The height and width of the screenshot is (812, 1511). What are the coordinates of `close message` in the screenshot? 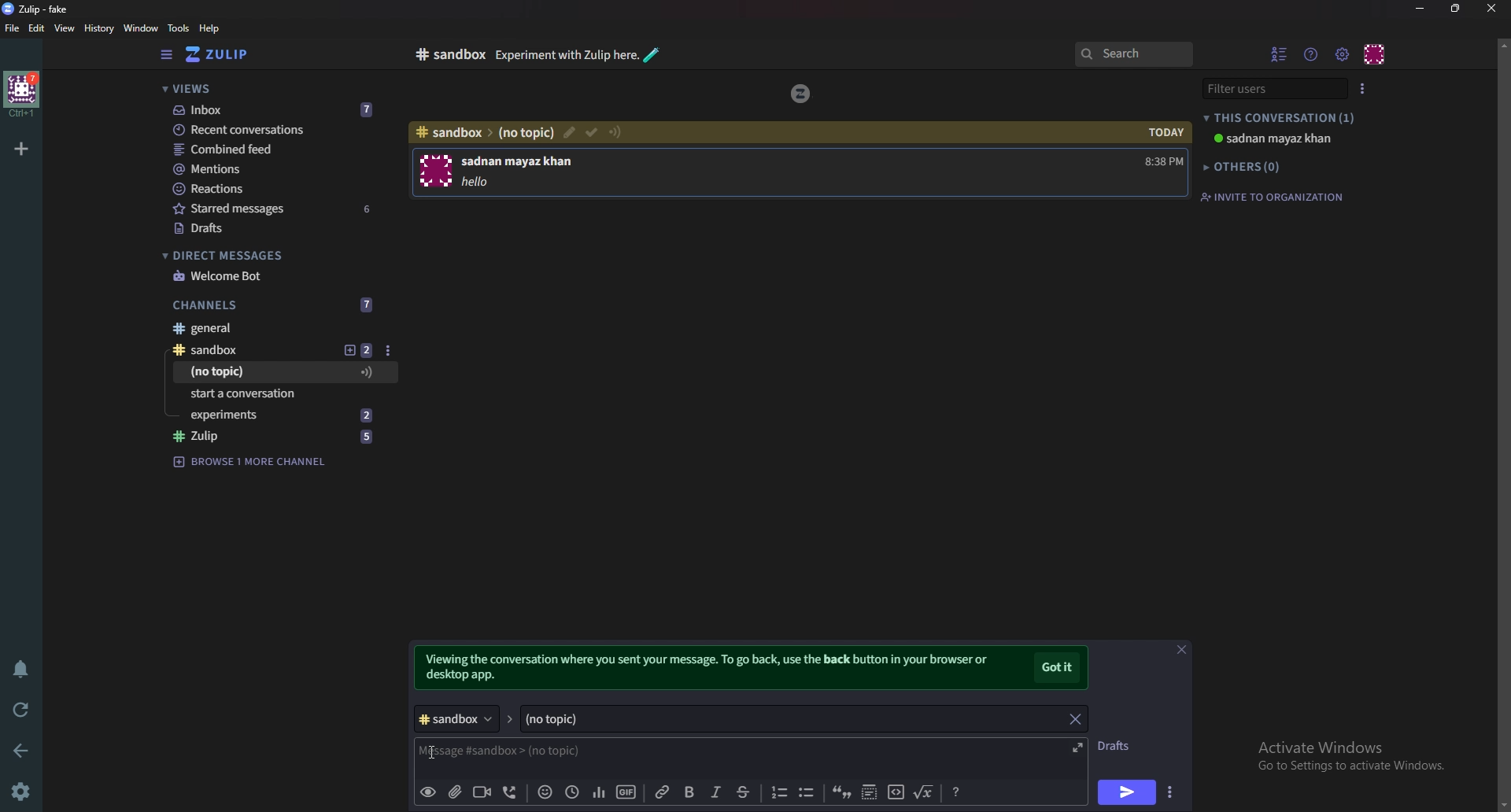 It's located at (1183, 650).